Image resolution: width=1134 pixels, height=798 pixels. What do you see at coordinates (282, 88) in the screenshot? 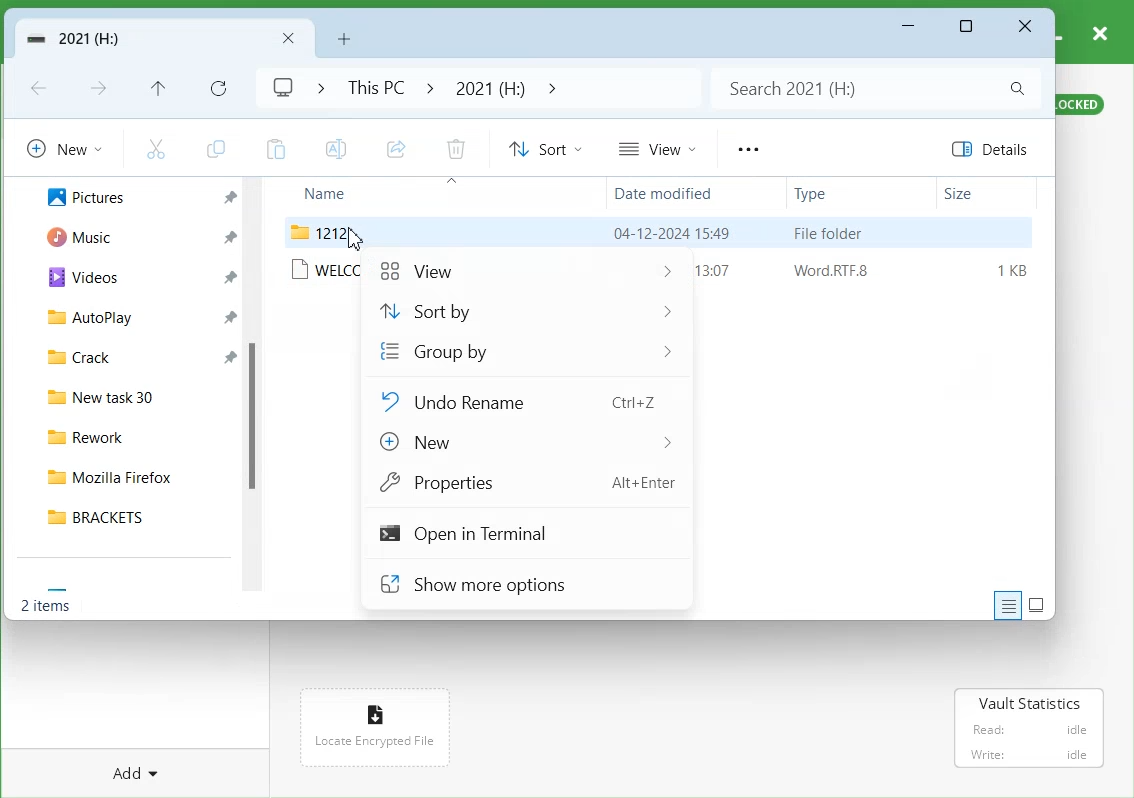
I see `Logo` at bounding box center [282, 88].